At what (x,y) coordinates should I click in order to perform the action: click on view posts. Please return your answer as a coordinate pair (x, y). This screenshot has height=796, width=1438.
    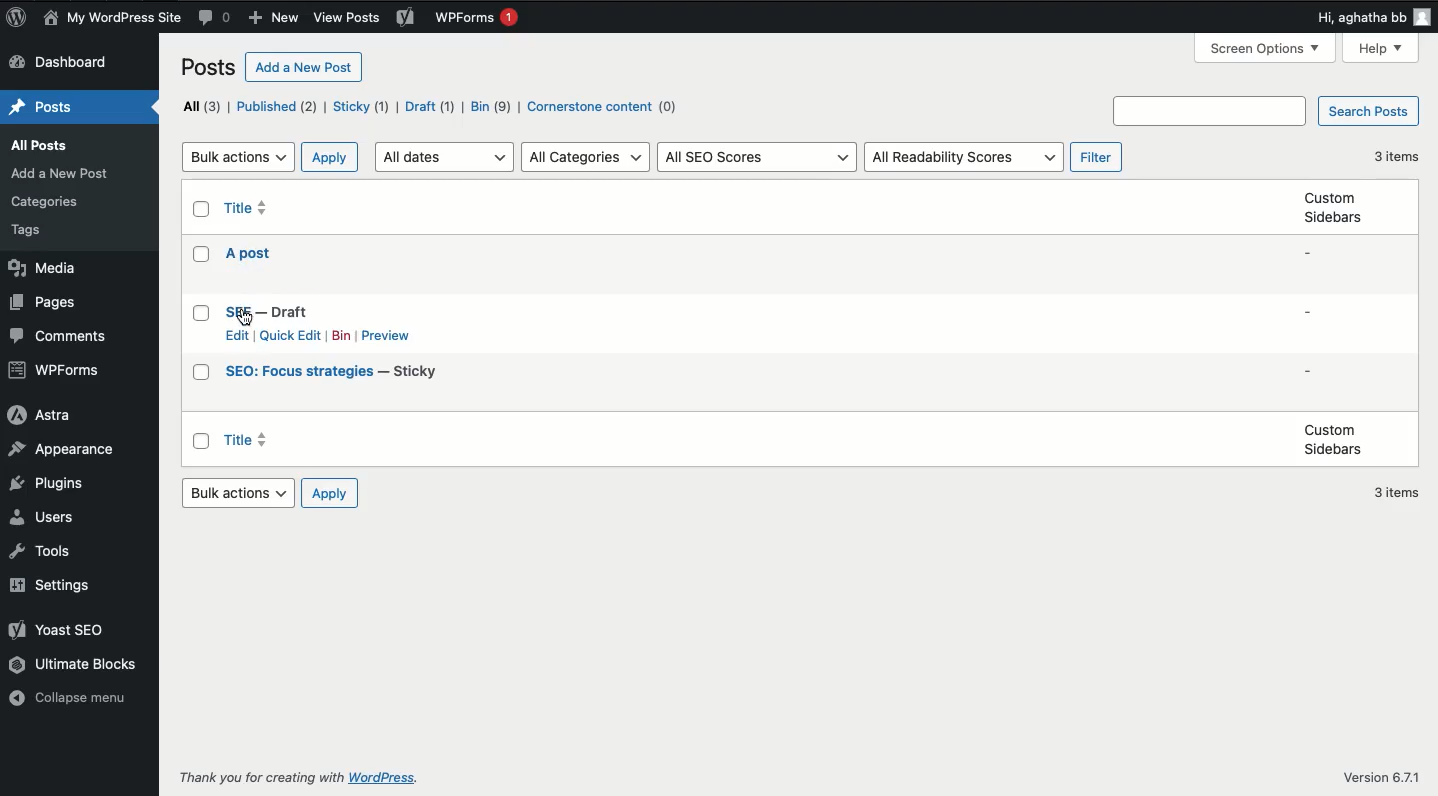
    Looking at the image, I should click on (347, 18).